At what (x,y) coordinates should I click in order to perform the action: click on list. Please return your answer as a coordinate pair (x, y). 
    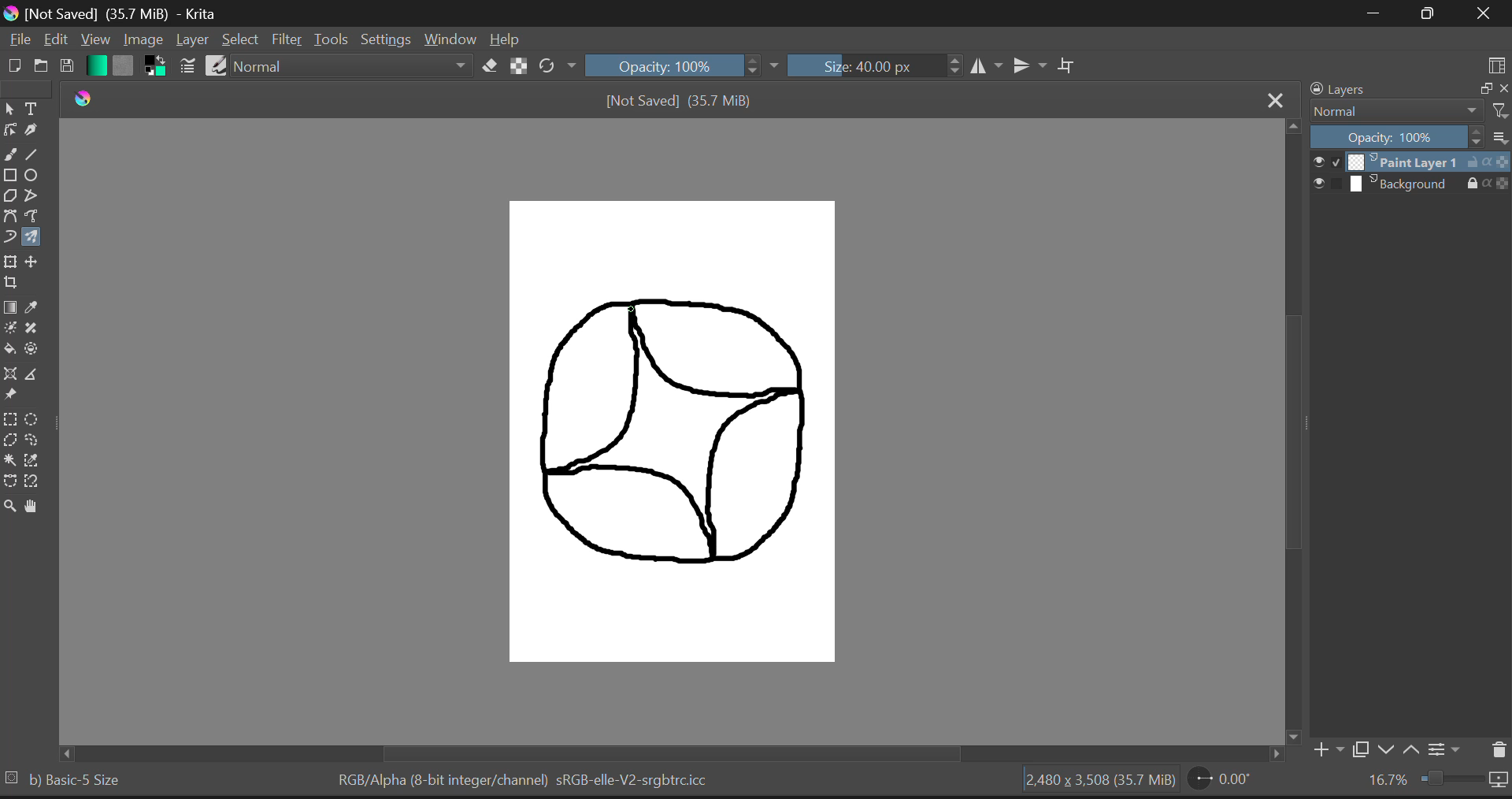
    Looking at the image, I should click on (1499, 137).